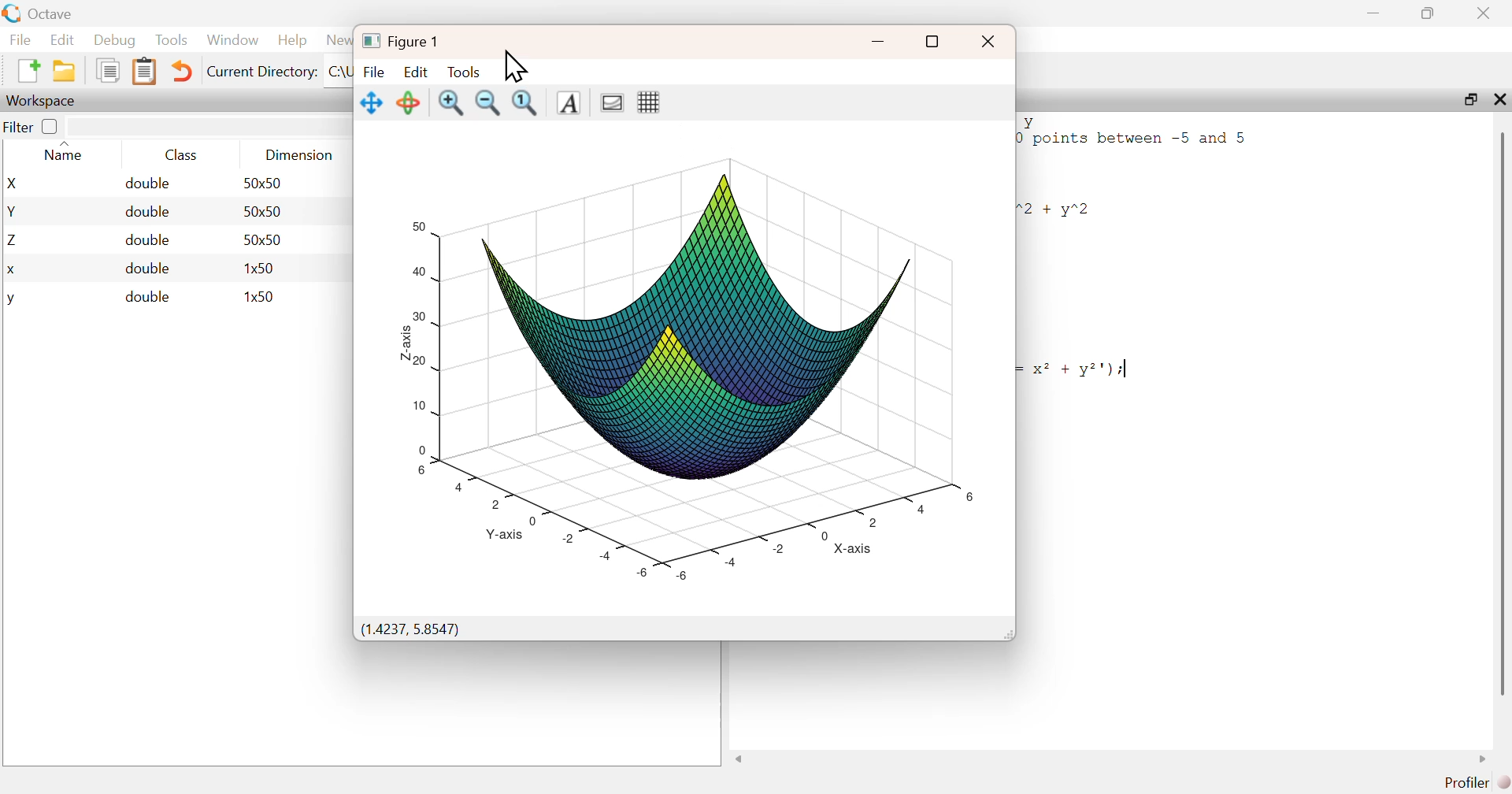  Describe the element at coordinates (147, 268) in the screenshot. I see `double` at that location.